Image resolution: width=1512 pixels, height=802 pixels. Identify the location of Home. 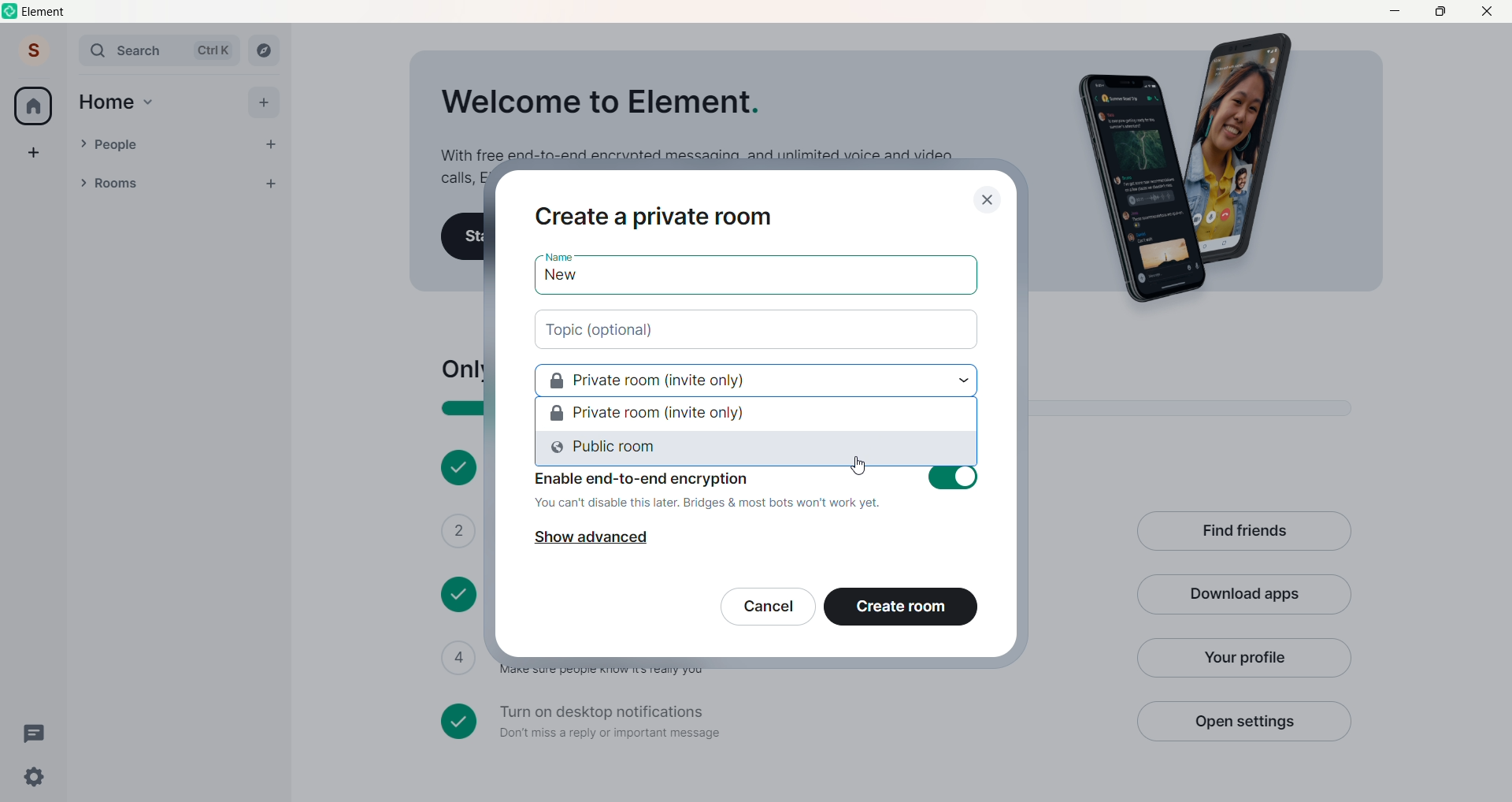
(106, 102).